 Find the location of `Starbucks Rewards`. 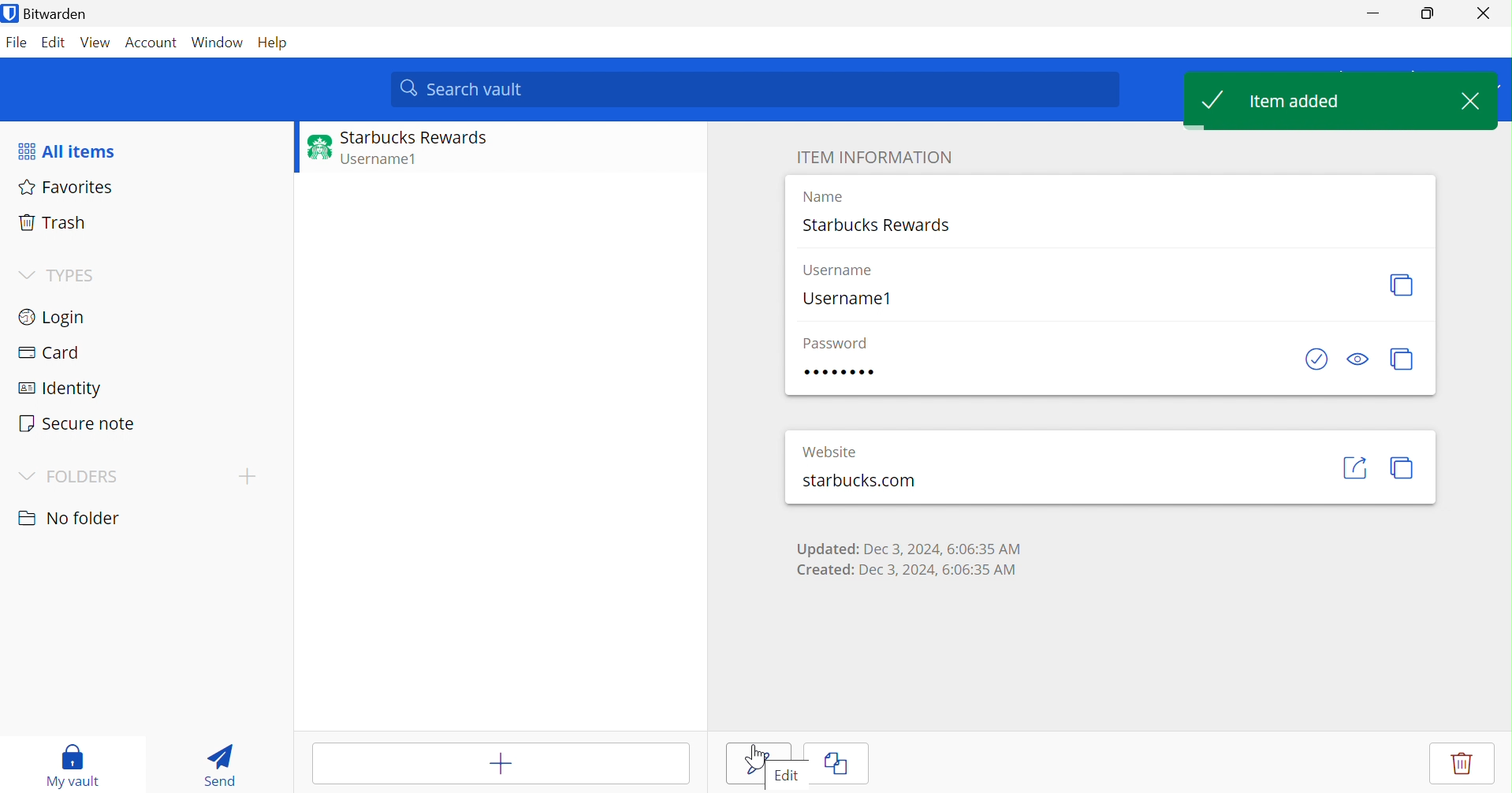

Starbucks Rewards is located at coordinates (881, 225).